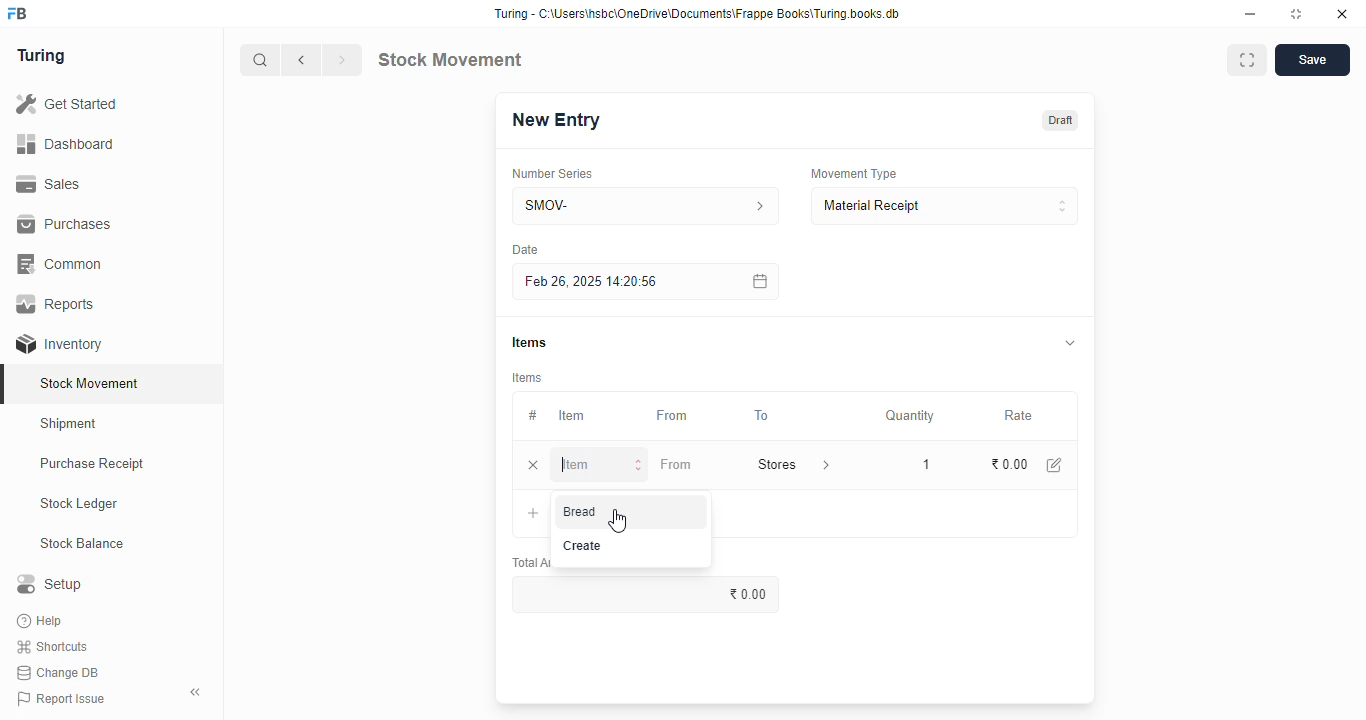  Describe the element at coordinates (68, 104) in the screenshot. I see `get started` at that location.